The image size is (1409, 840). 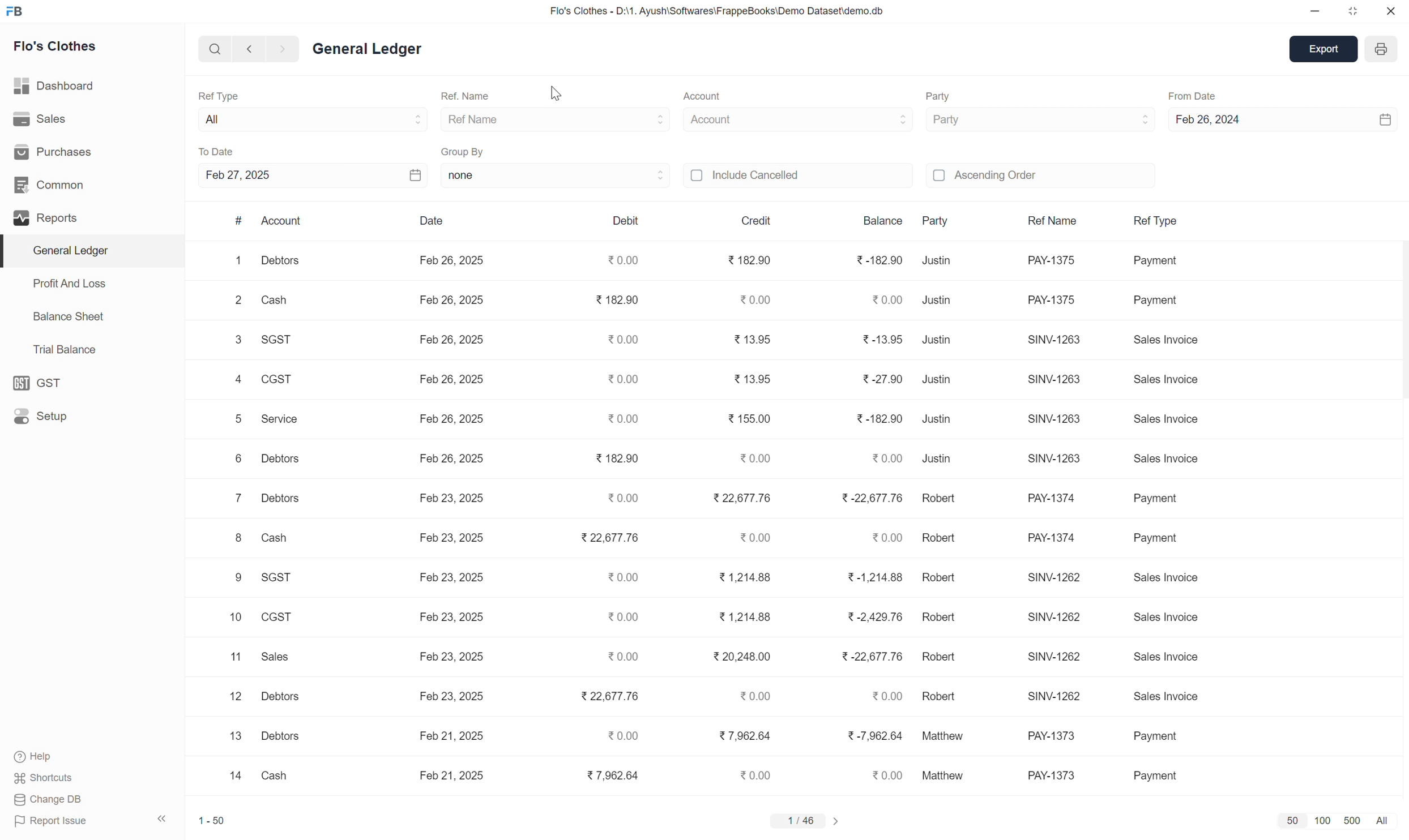 What do you see at coordinates (82, 252) in the screenshot?
I see `general ledger` at bounding box center [82, 252].